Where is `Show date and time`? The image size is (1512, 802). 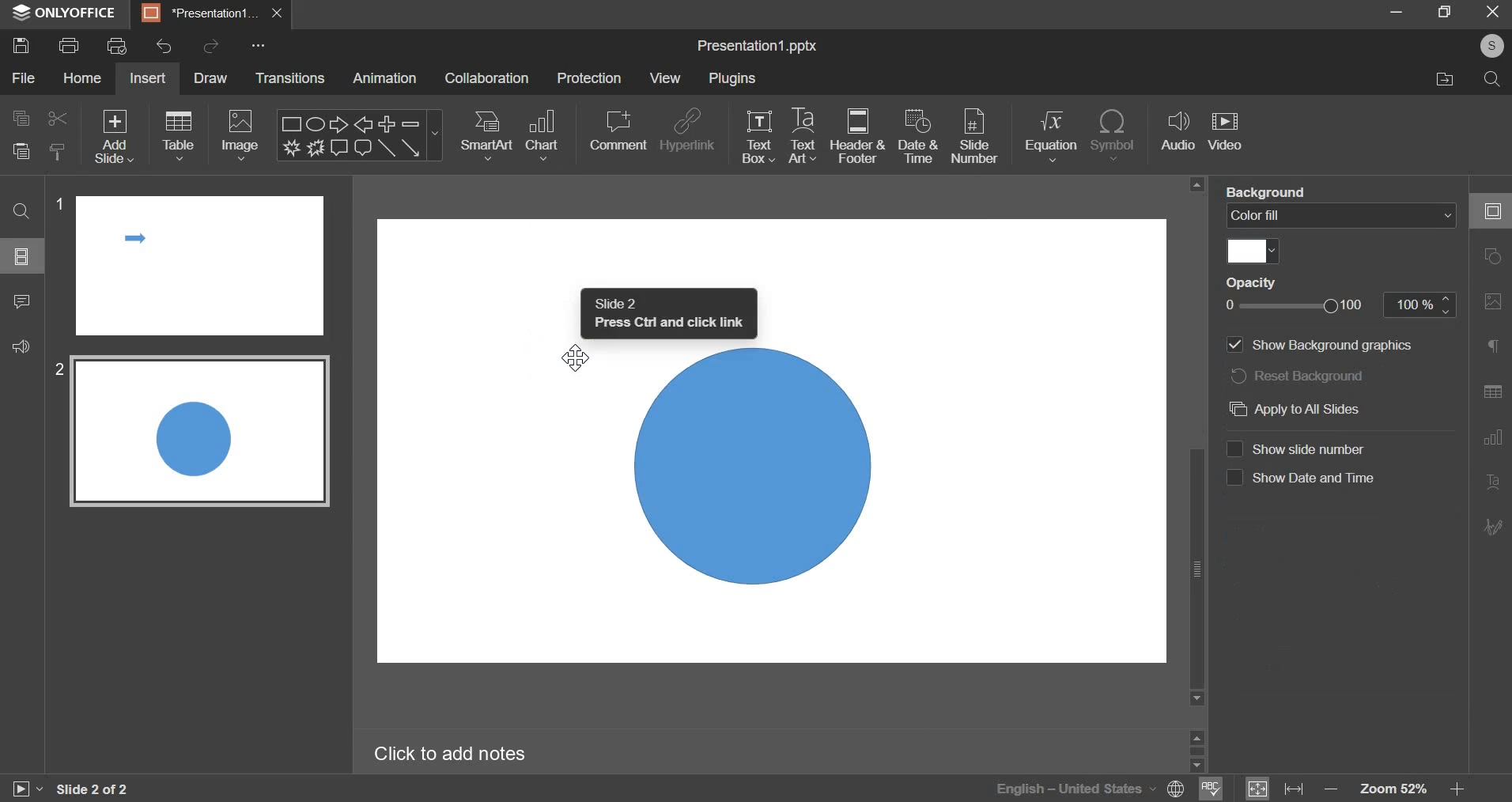
Show date and time is located at coordinates (1307, 480).